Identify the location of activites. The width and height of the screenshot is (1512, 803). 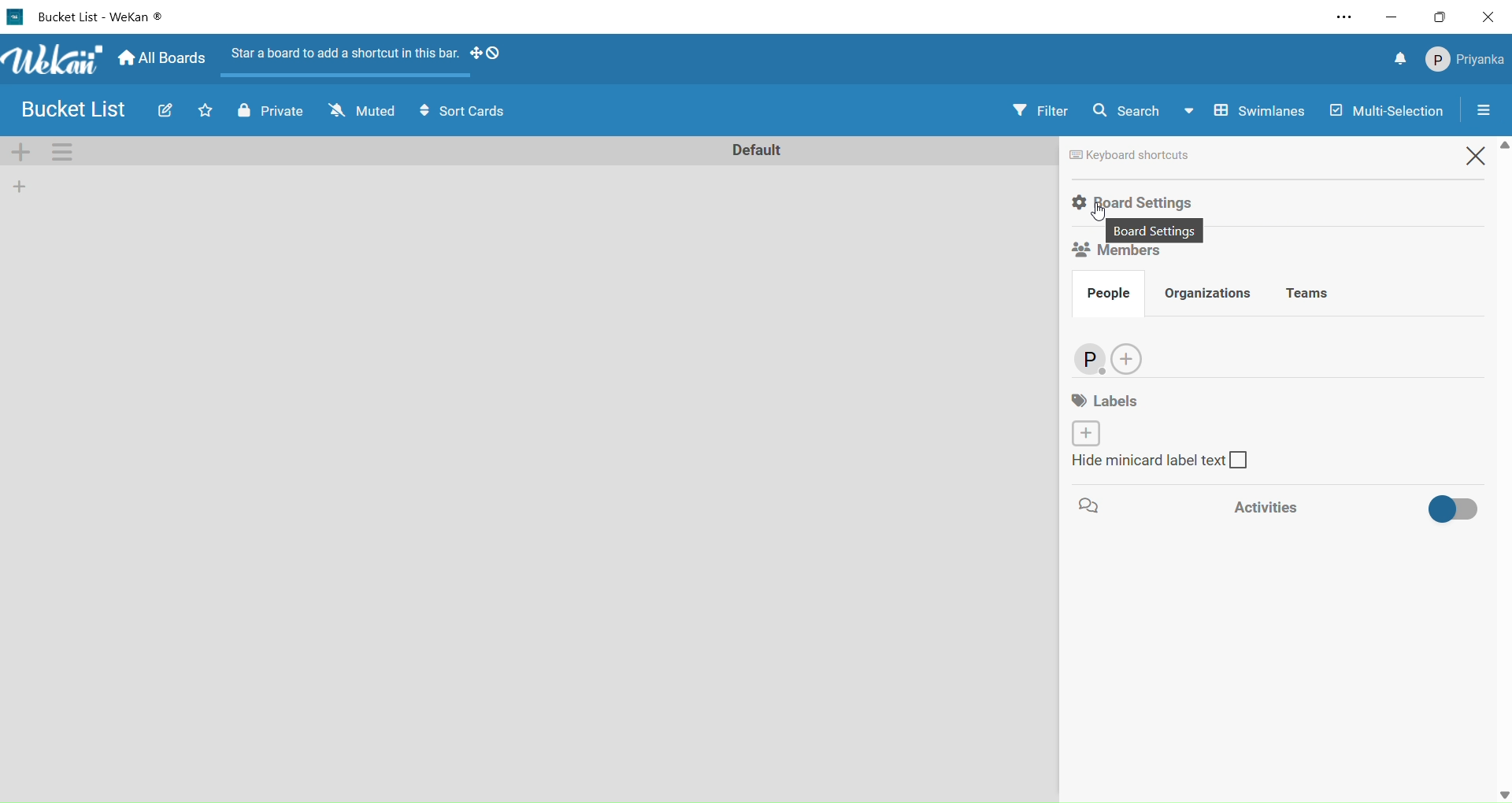
(1359, 506).